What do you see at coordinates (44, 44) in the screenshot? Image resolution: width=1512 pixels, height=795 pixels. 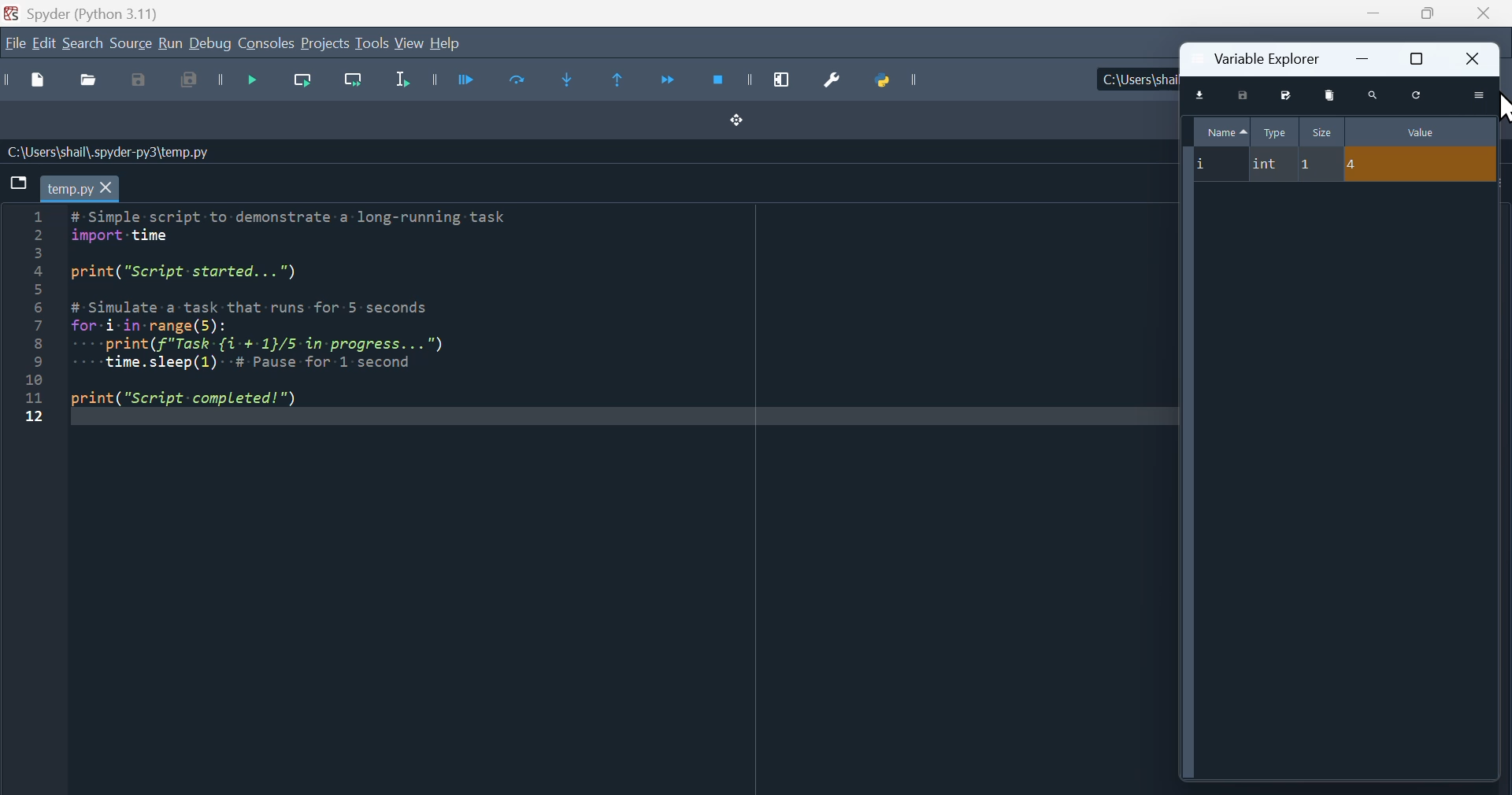 I see `edit` at bounding box center [44, 44].